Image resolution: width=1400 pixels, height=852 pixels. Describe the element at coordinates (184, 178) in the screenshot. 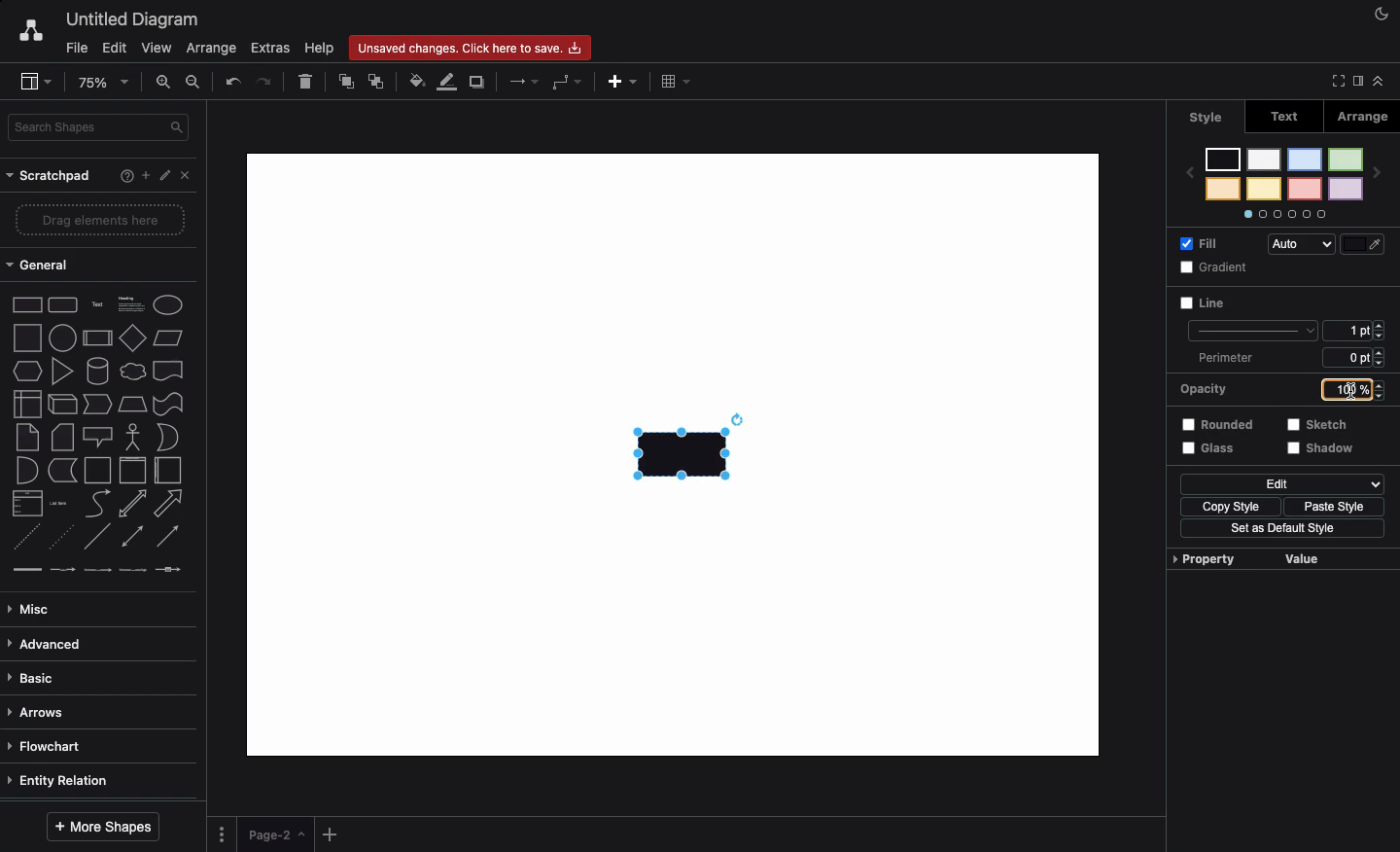

I see `Close` at that location.